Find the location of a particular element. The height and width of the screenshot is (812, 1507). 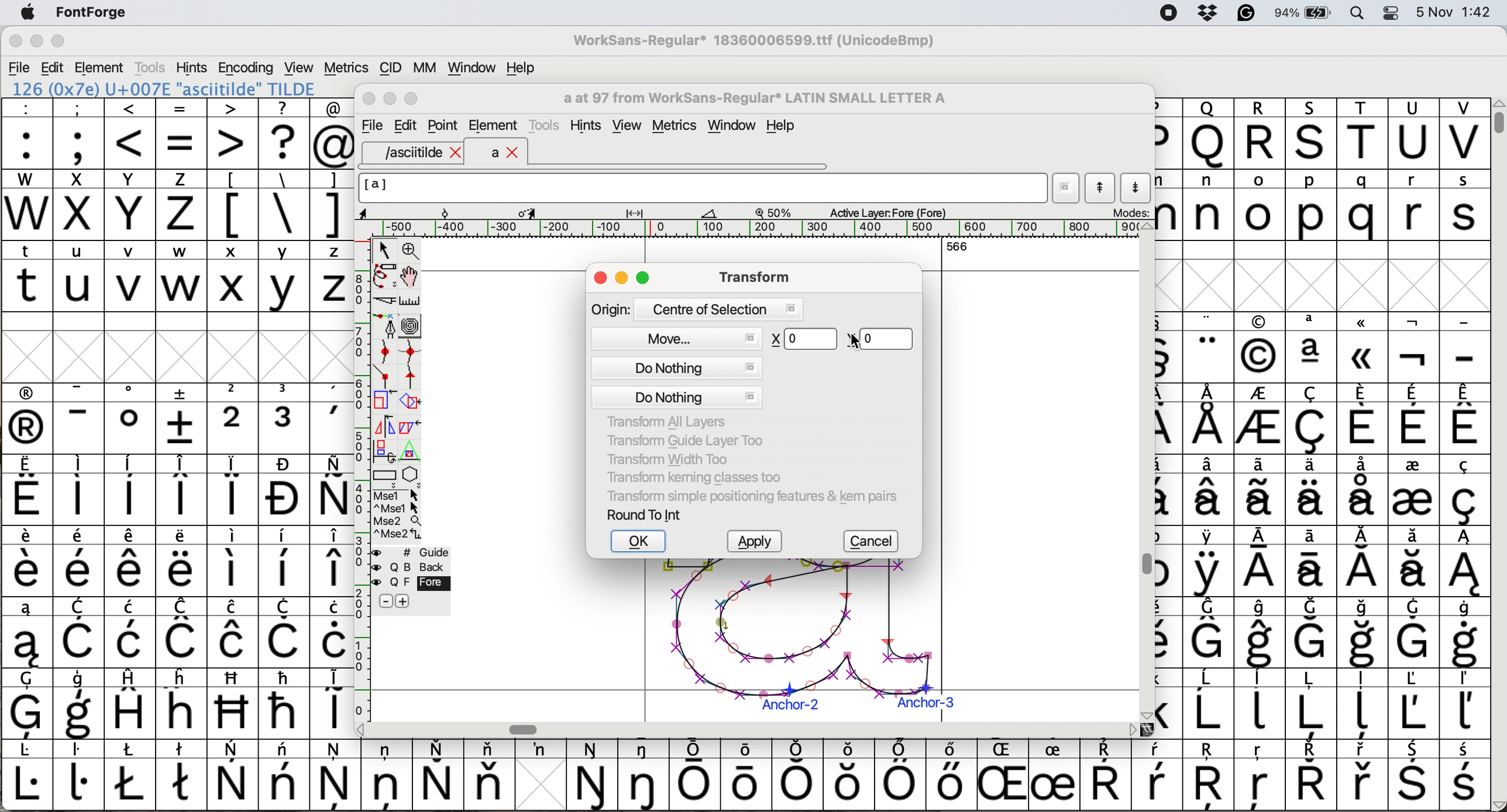

symbol is located at coordinates (80, 562).